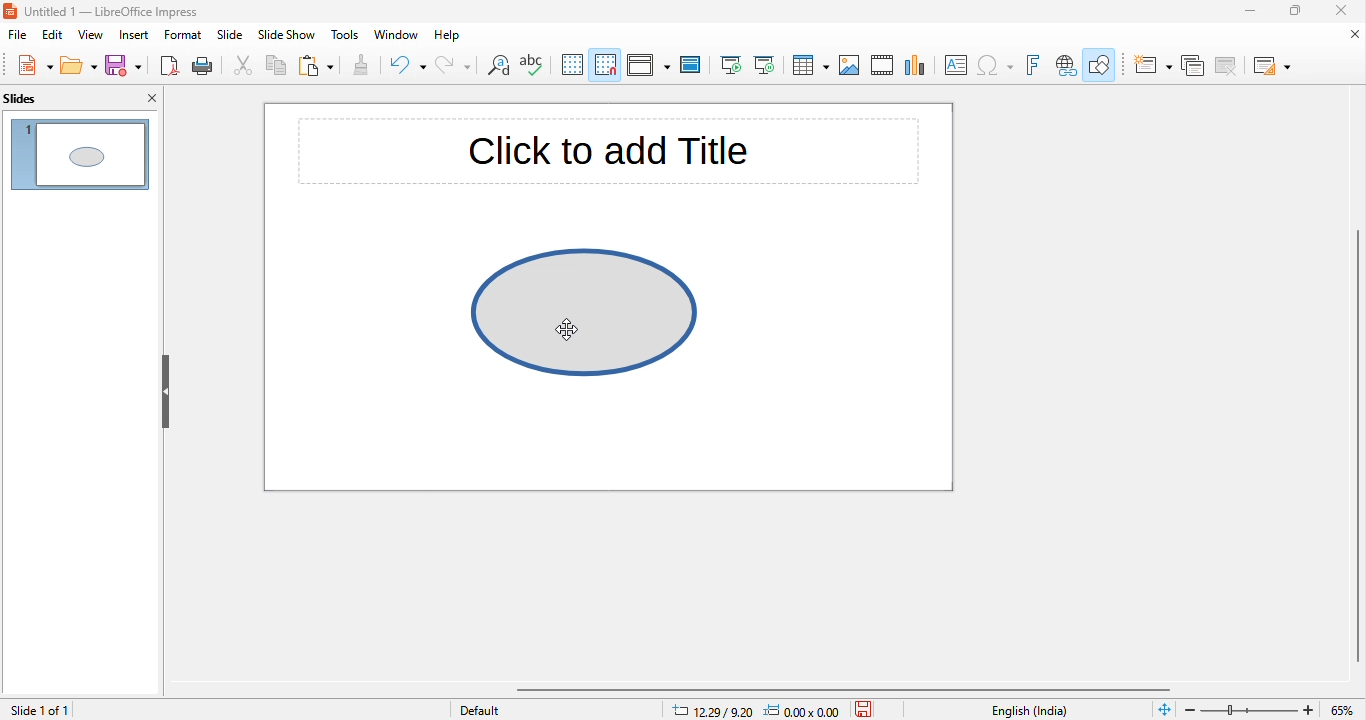 This screenshot has width=1366, height=720. Describe the element at coordinates (1346, 12) in the screenshot. I see `close` at that location.